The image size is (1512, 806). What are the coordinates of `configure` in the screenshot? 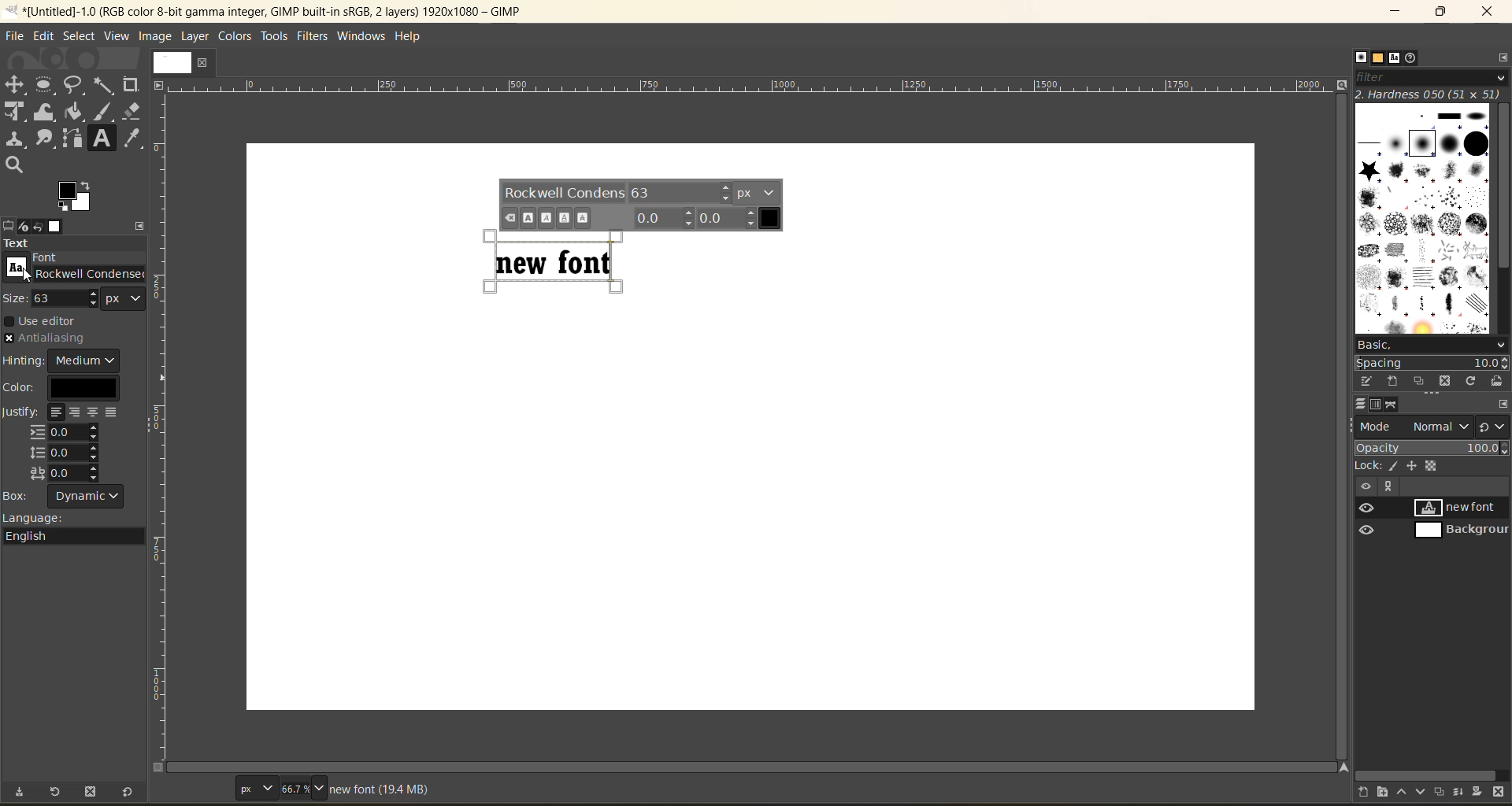 It's located at (1503, 404).